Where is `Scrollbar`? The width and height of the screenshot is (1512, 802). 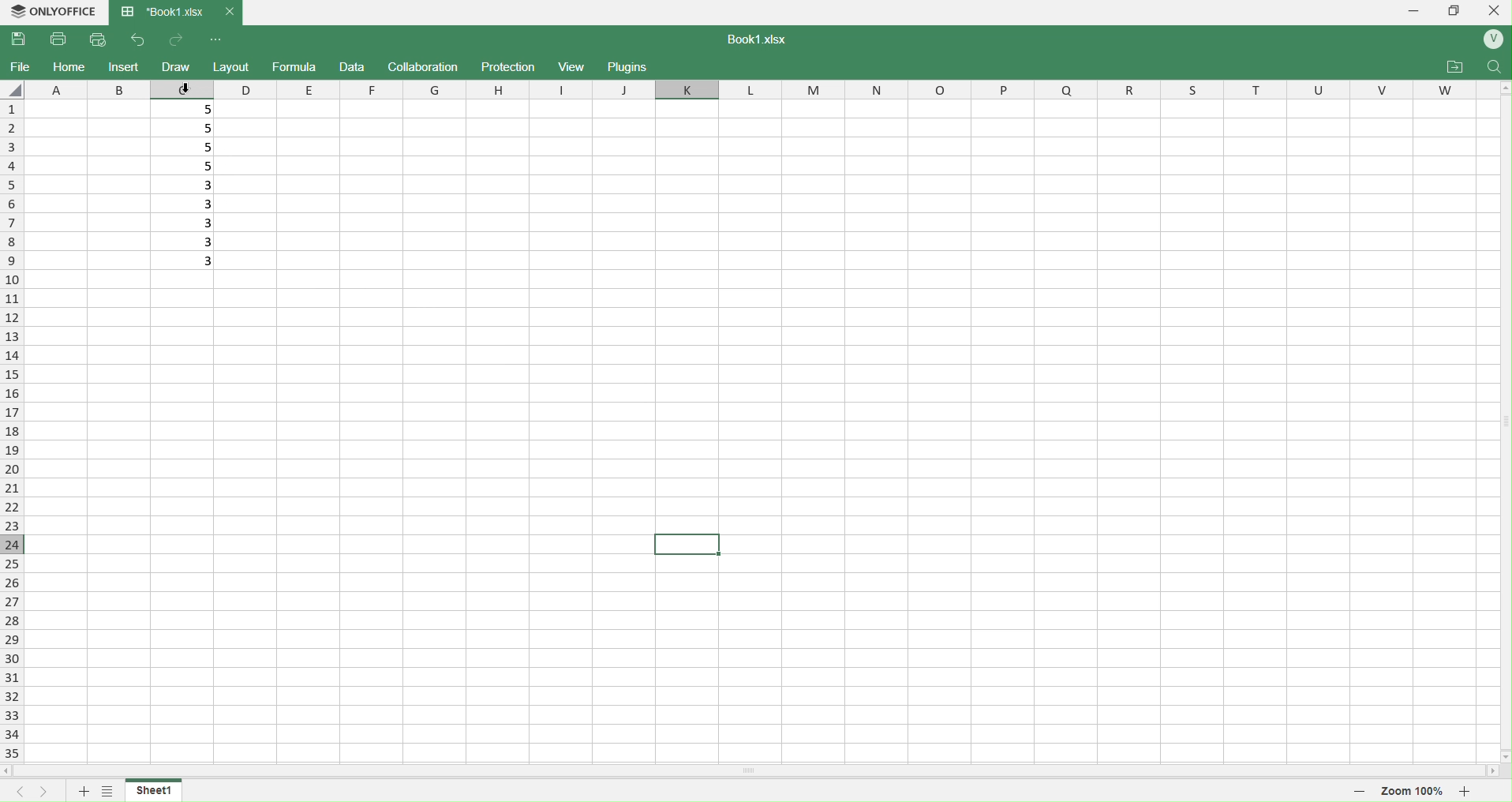 Scrollbar is located at coordinates (1502, 417).